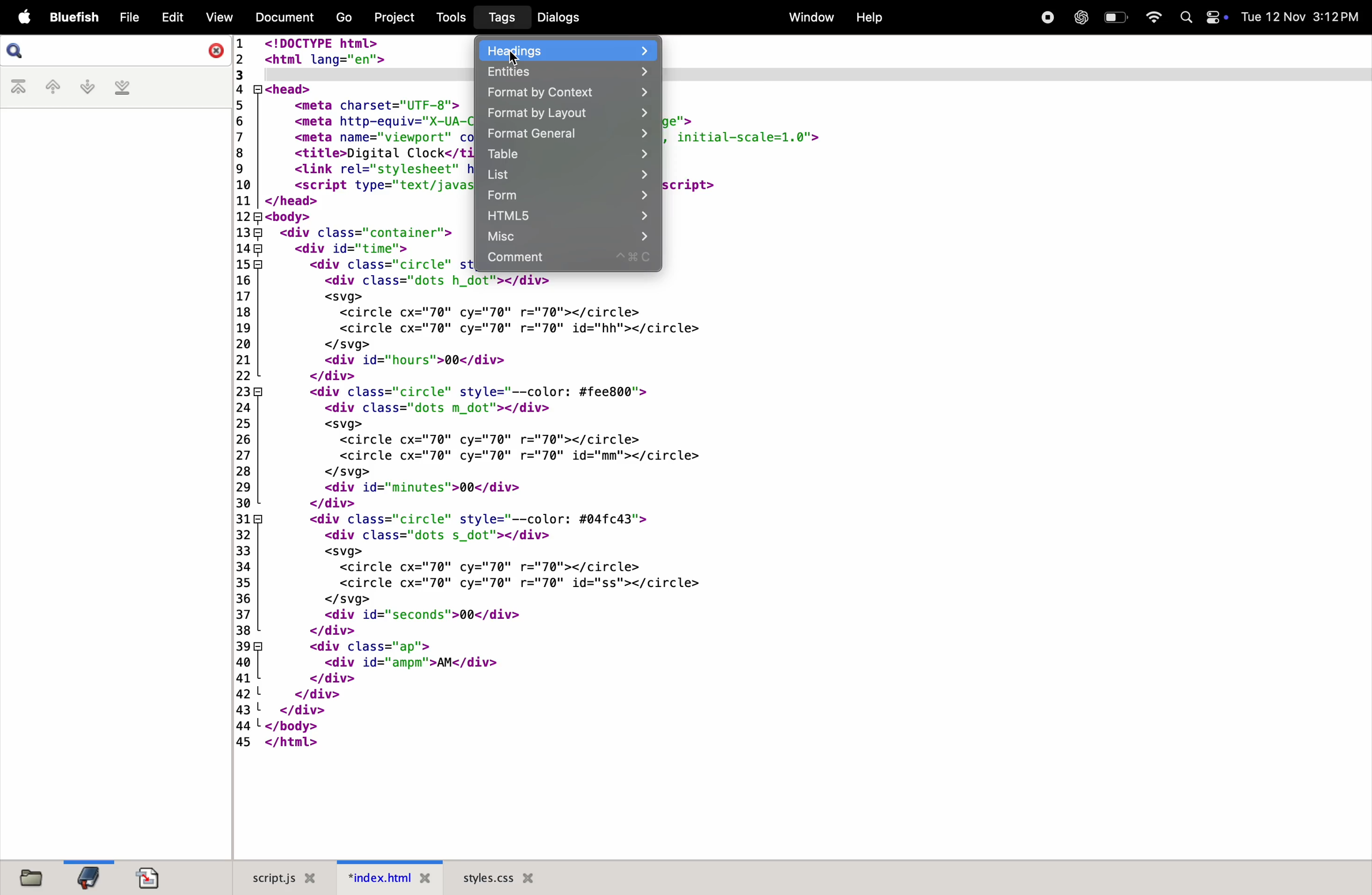 The width and height of the screenshot is (1372, 895). Describe the element at coordinates (52, 89) in the screenshot. I see `previous book mark` at that location.